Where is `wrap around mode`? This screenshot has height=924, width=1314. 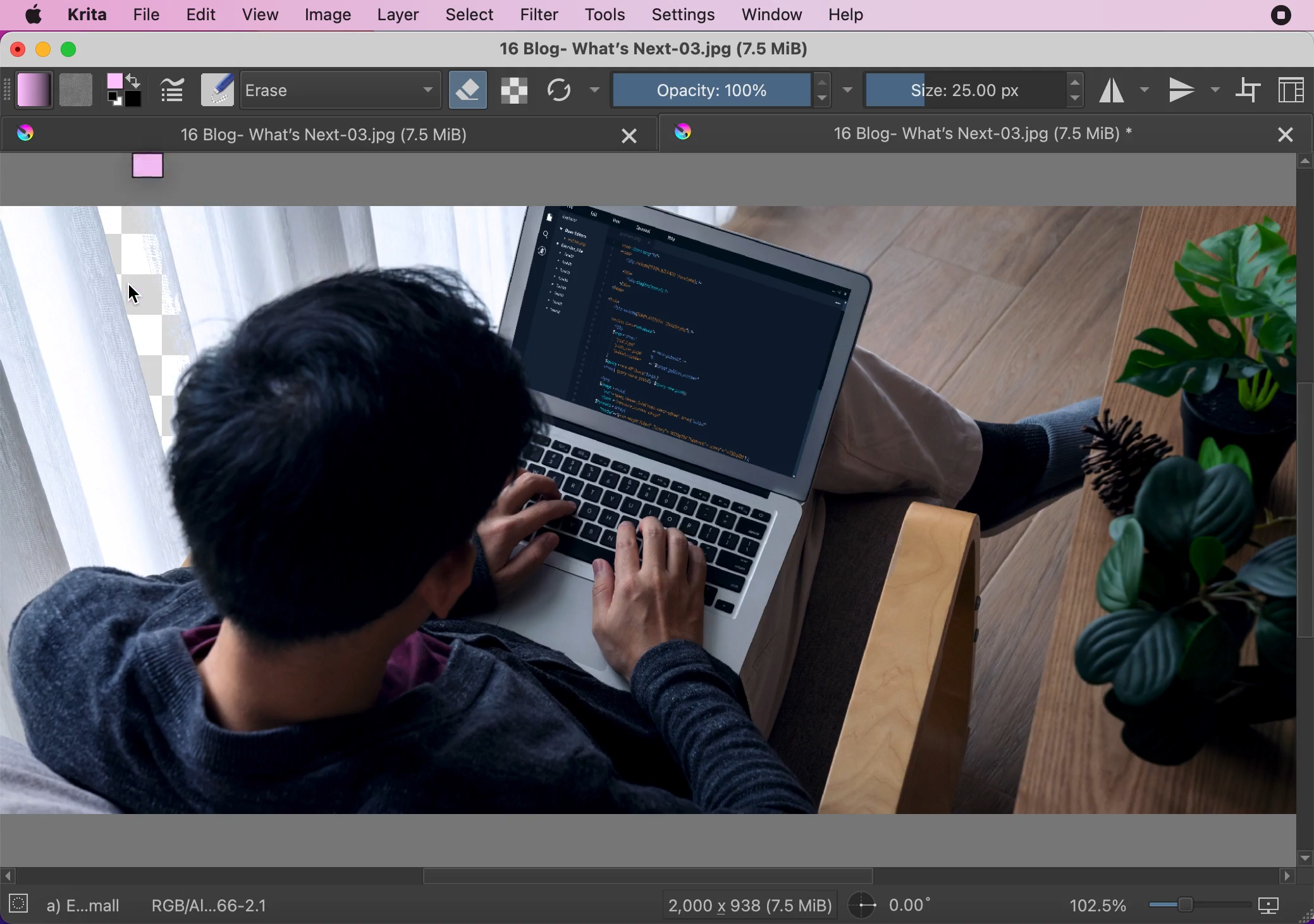 wrap around mode is located at coordinates (1251, 91).